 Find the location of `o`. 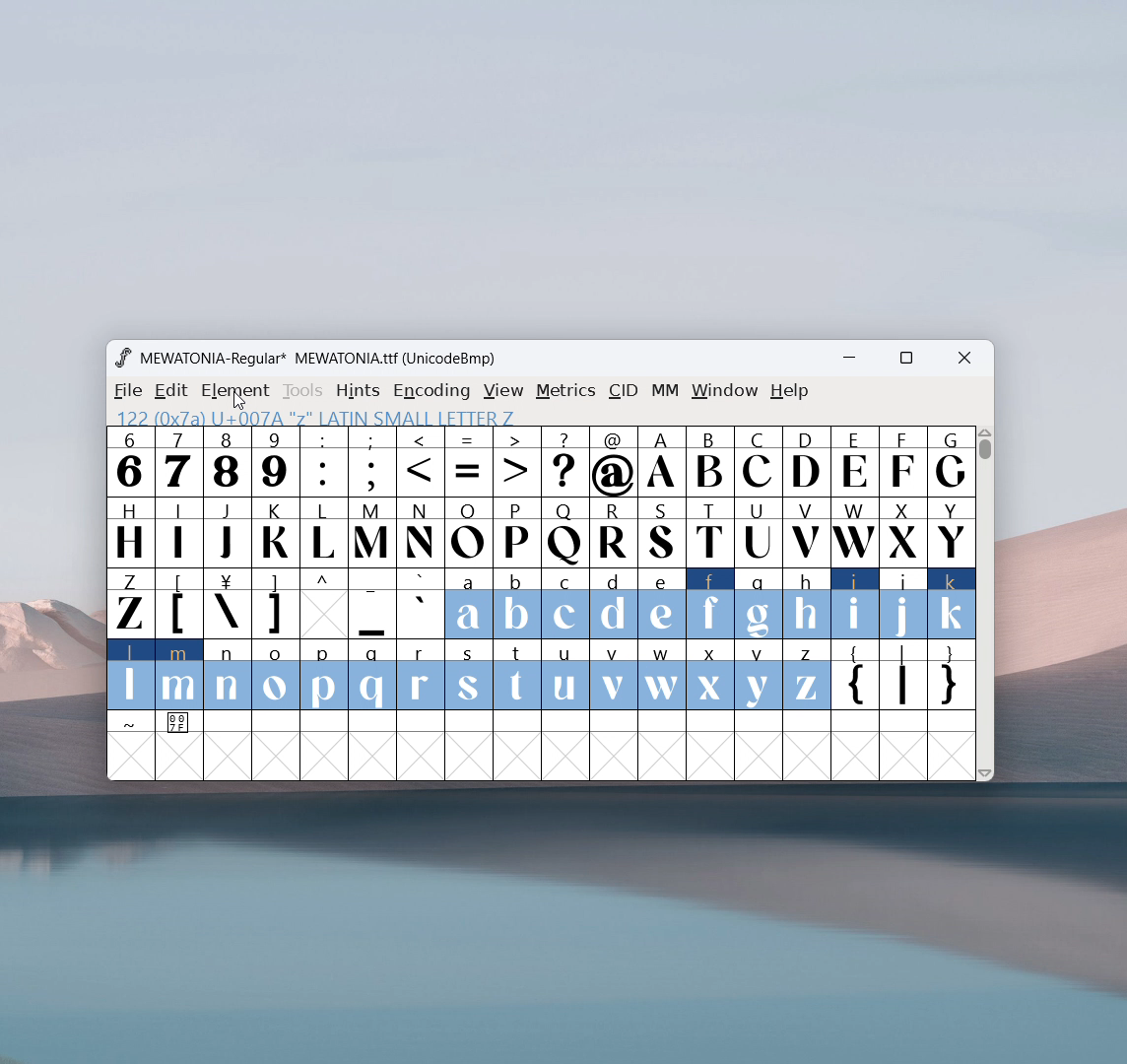

o is located at coordinates (277, 677).